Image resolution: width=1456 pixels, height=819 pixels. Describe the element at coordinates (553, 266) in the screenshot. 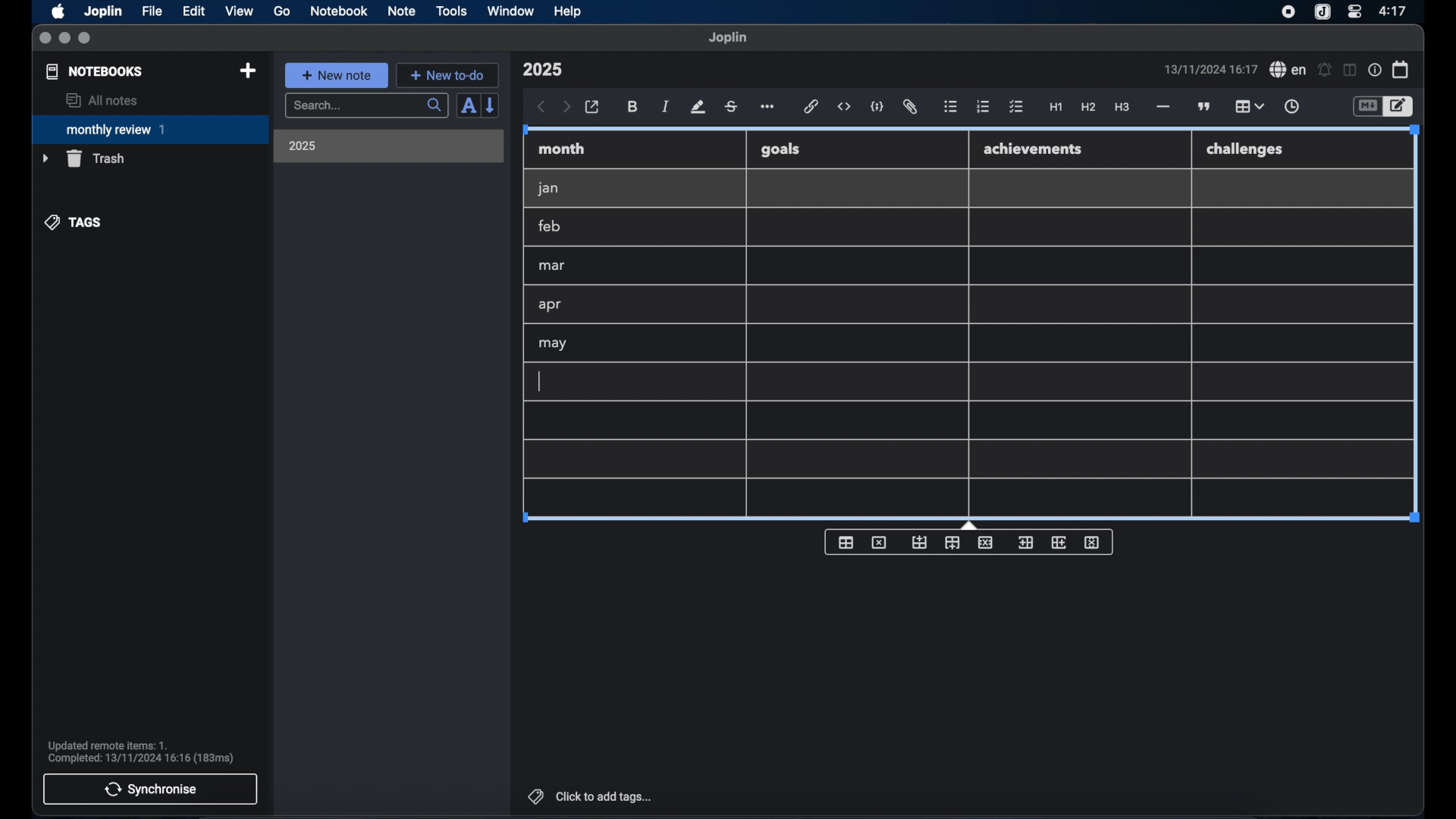

I see `mar` at that location.